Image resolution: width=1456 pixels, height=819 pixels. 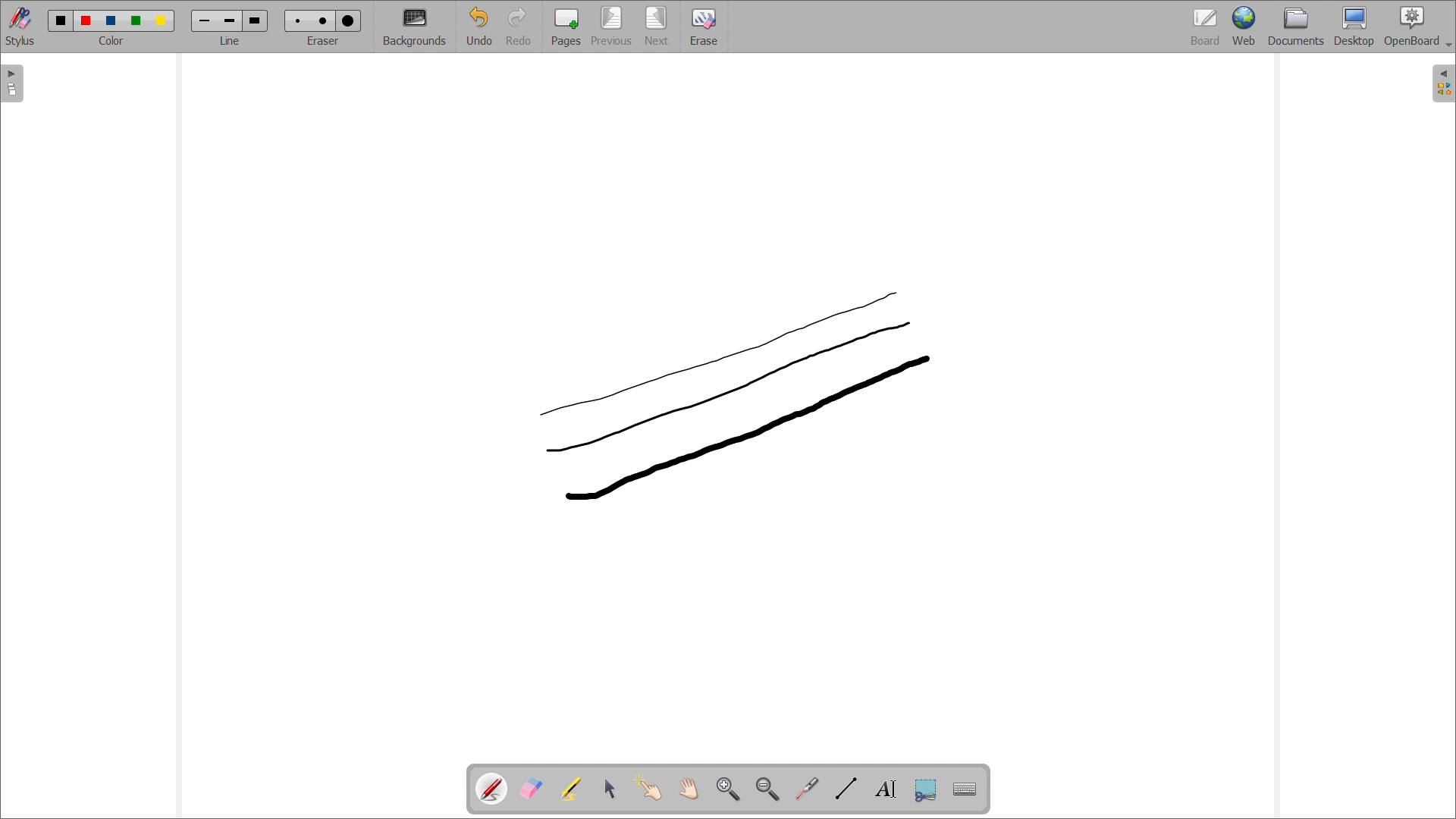 I want to click on toggle stylus, so click(x=20, y=26).